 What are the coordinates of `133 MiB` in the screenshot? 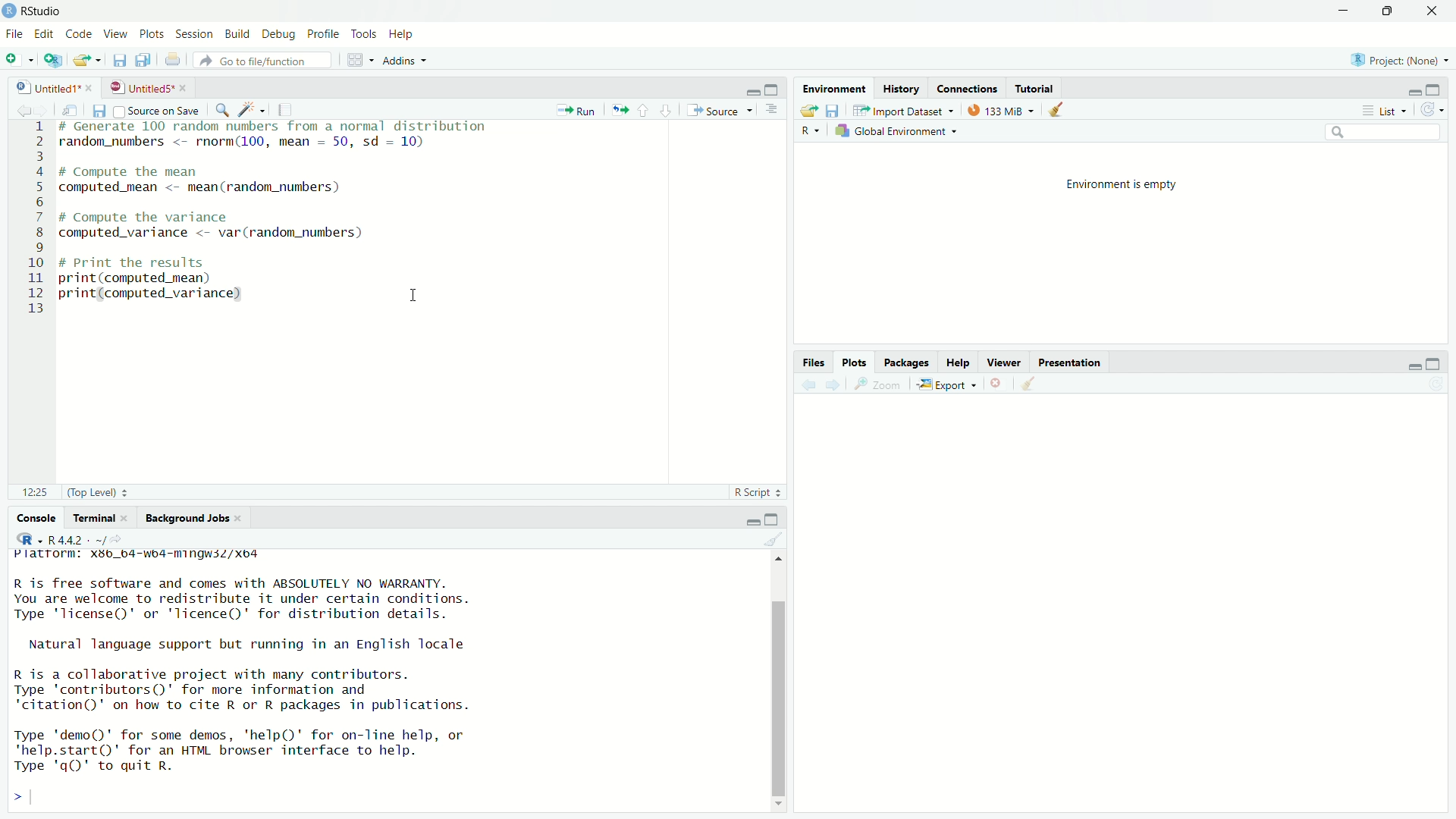 It's located at (999, 109).